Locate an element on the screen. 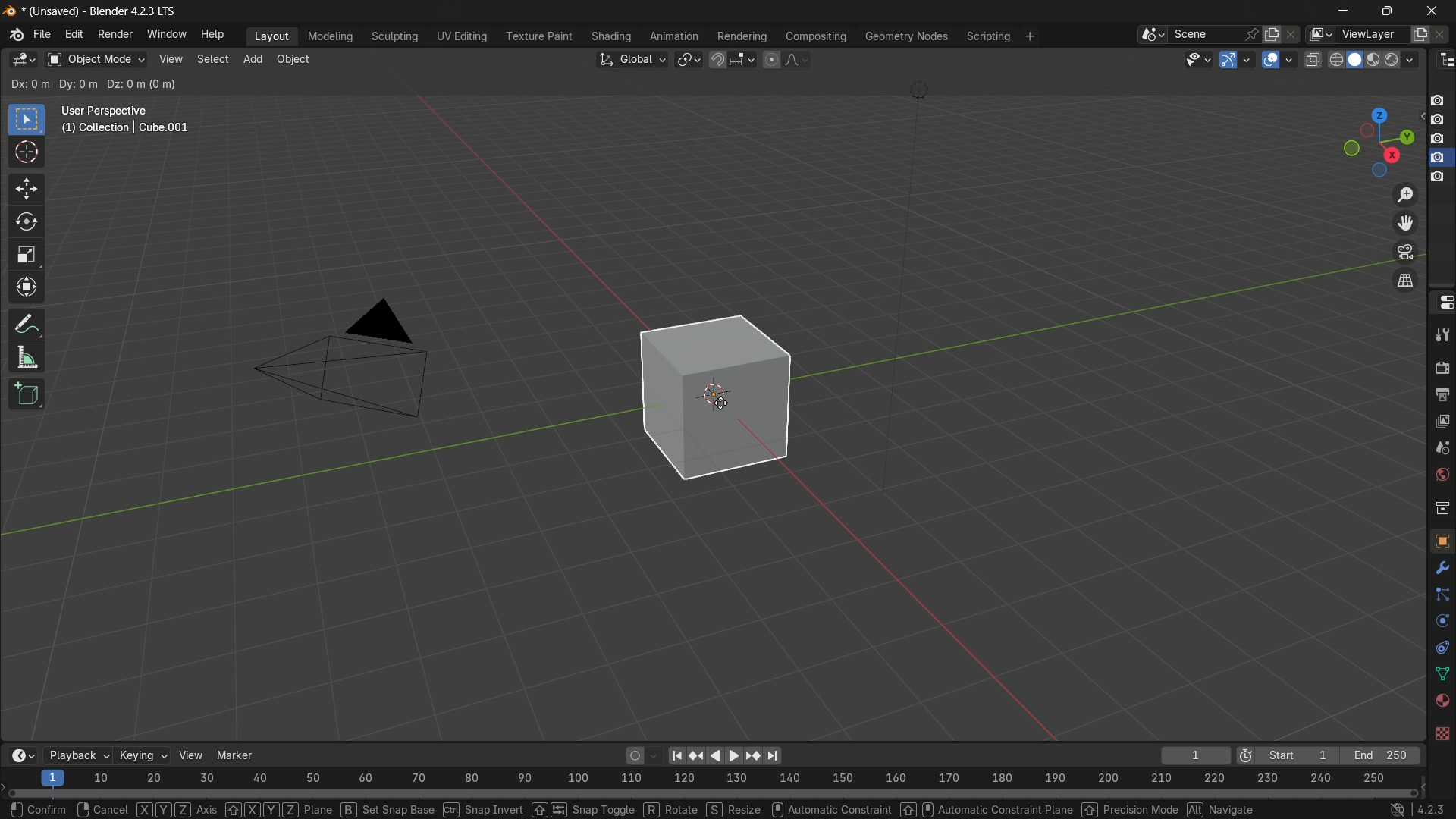 This screenshot has width=1456, height=819. Icon2 is located at coordinates (1439, 121).